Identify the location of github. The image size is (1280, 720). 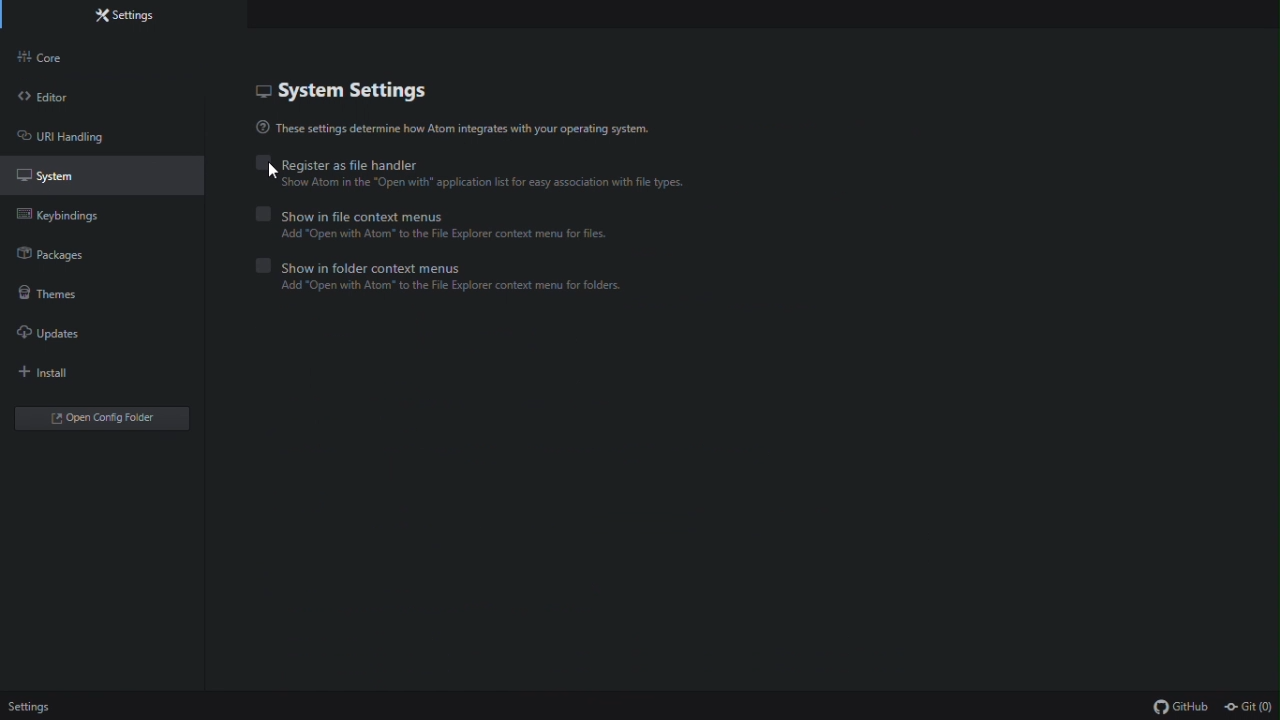
(1181, 708).